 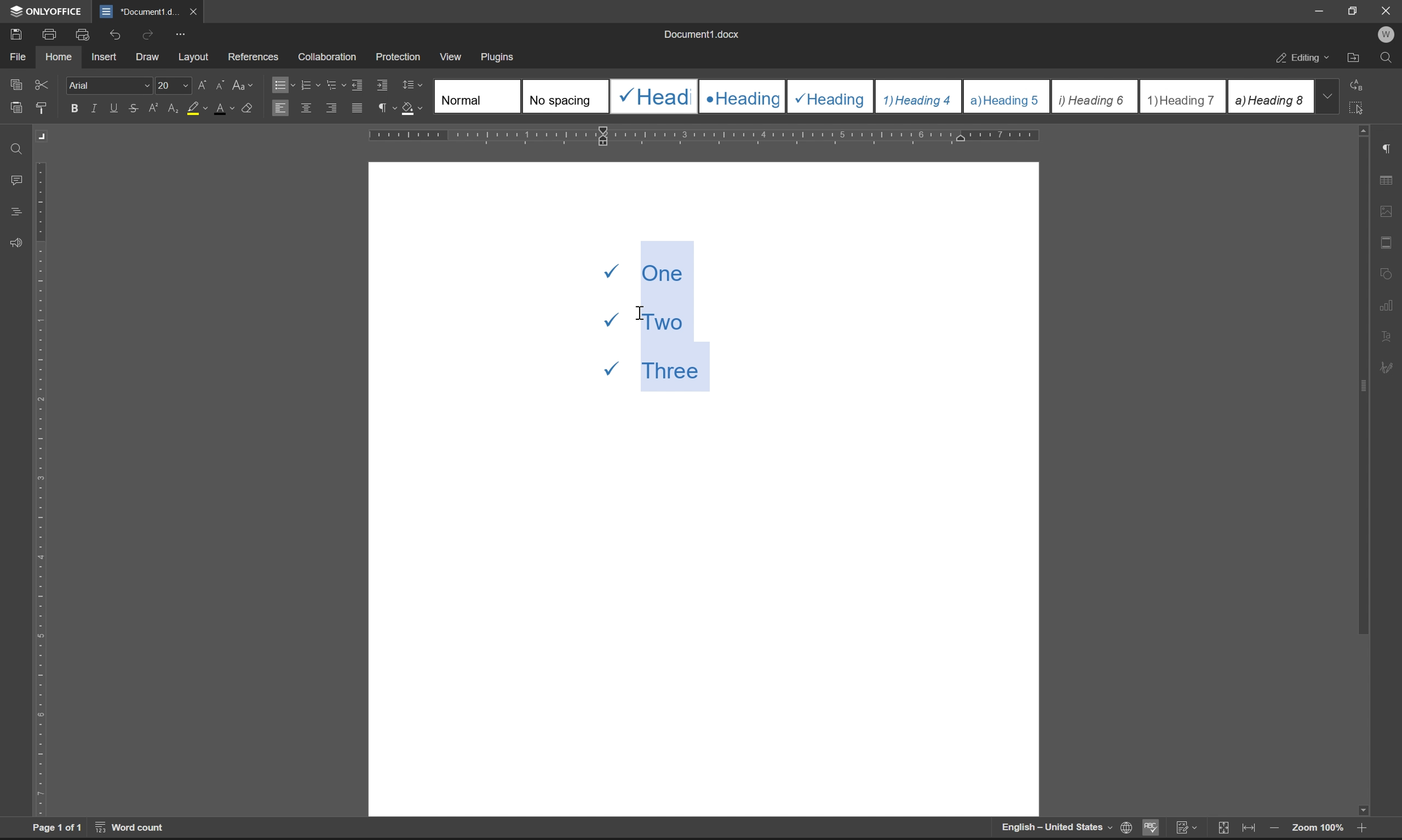 I want to click on find, so click(x=1386, y=58).